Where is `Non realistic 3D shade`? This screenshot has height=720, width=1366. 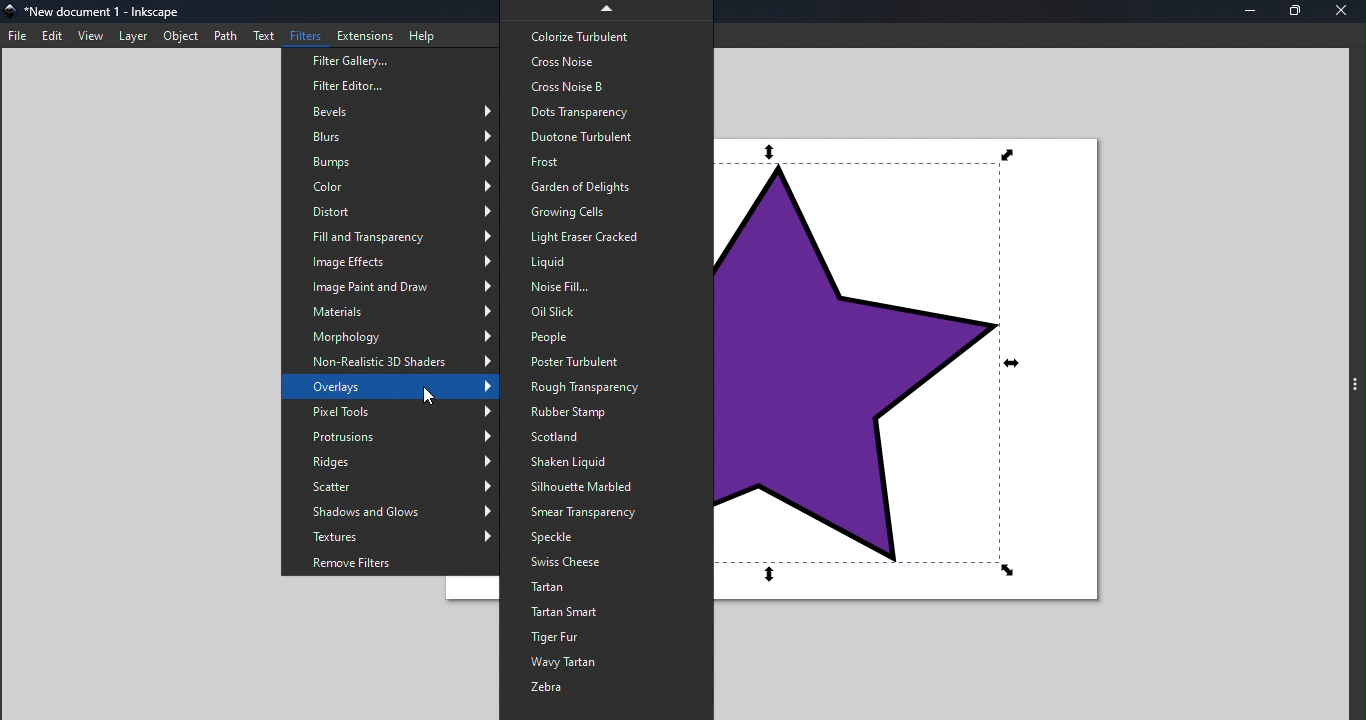 Non realistic 3D shade is located at coordinates (394, 364).